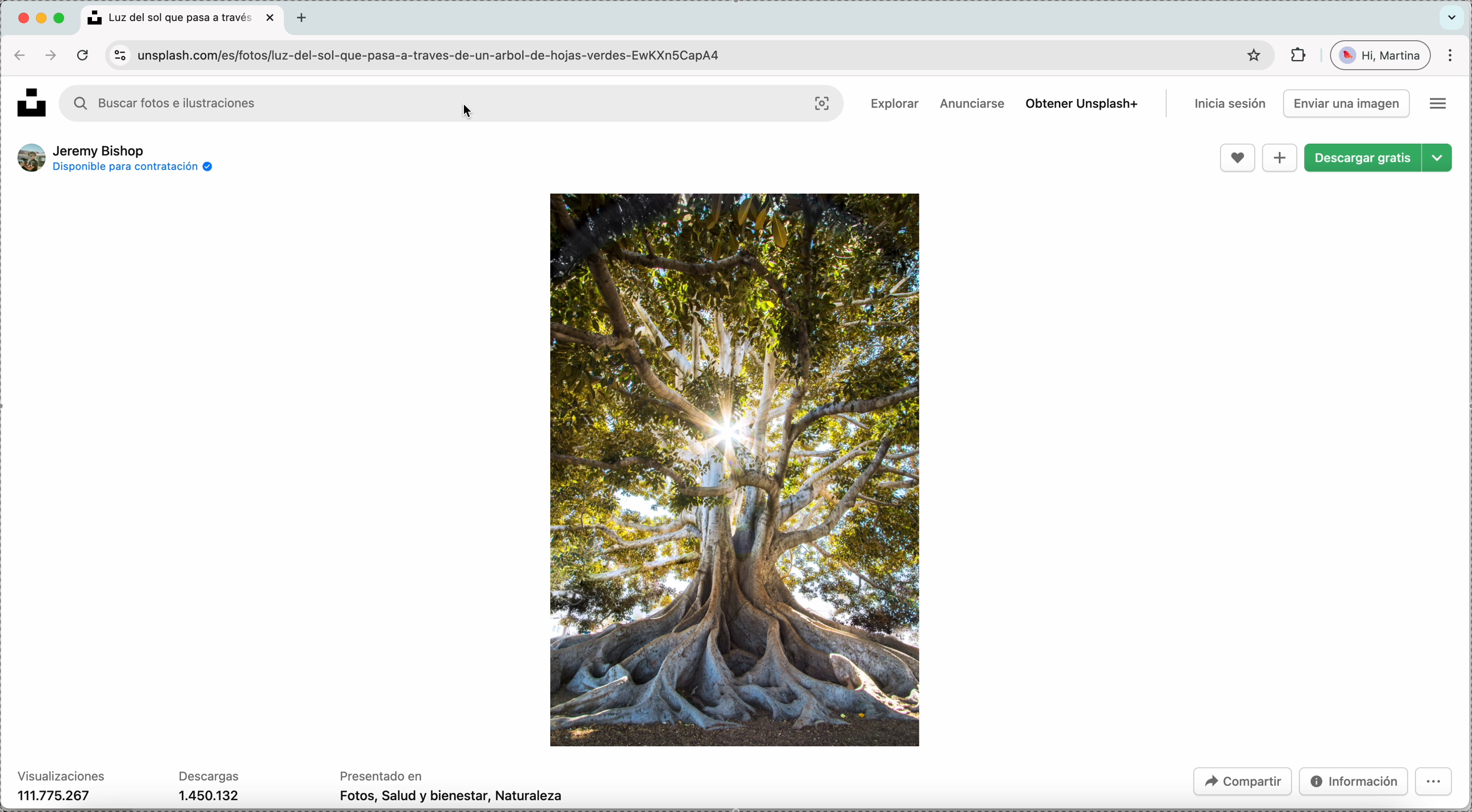 The image size is (1472, 812). Describe the element at coordinates (439, 57) in the screenshot. I see `url` at that location.